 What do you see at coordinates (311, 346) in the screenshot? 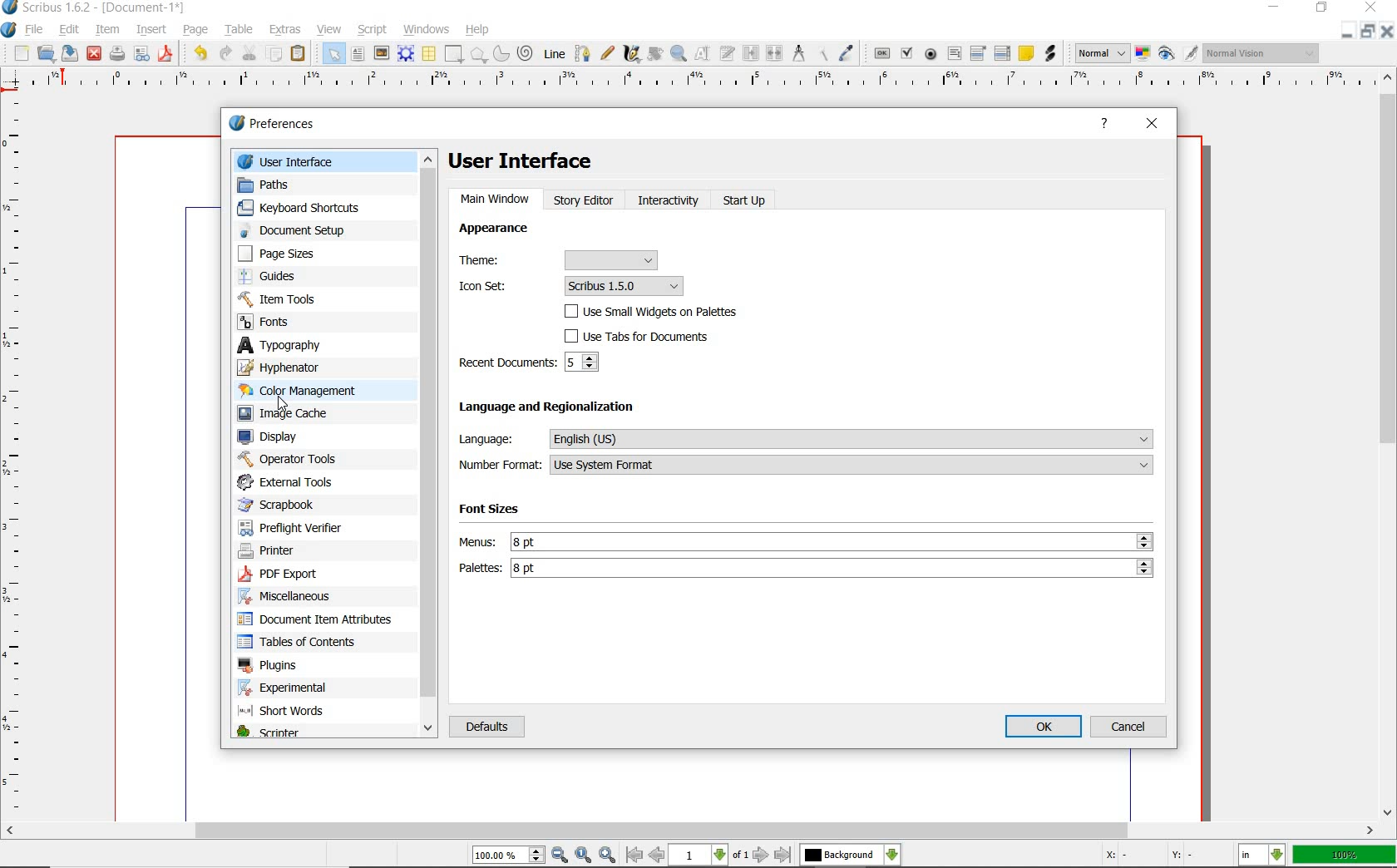
I see `typography` at bounding box center [311, 346].